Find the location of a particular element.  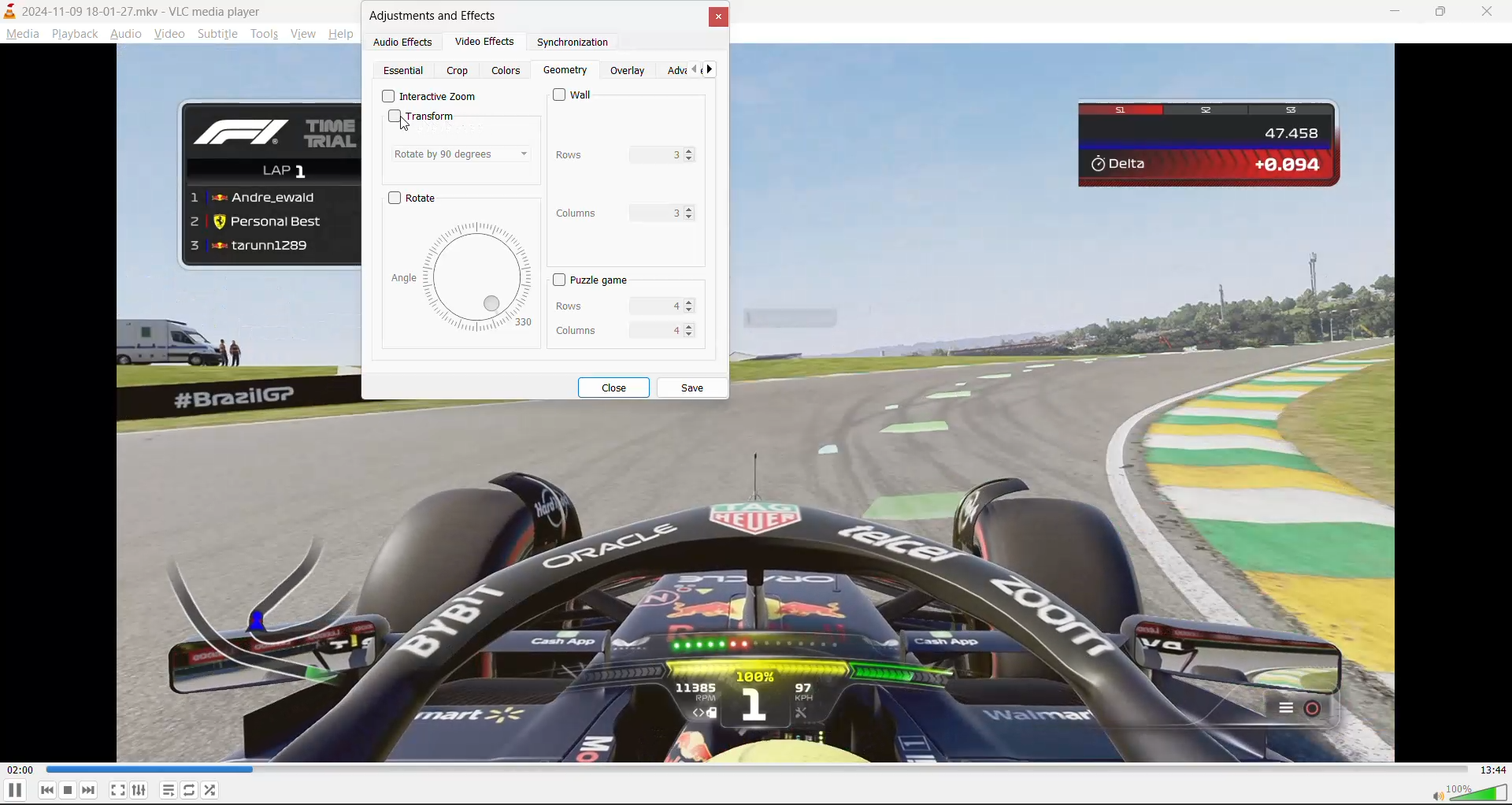

current track time is located at coordinates (19, 770).